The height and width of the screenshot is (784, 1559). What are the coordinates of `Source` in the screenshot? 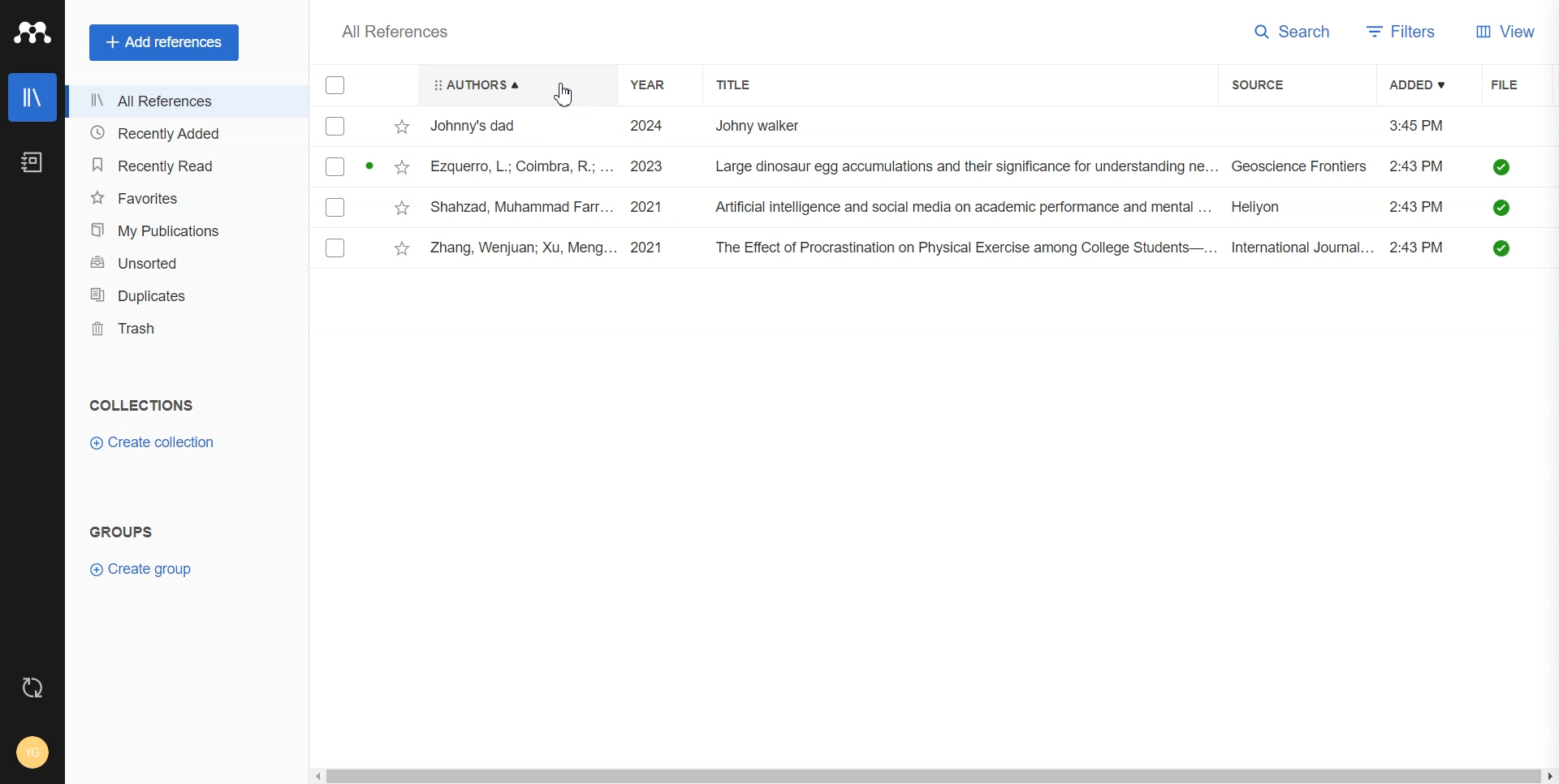 It's located at (1282, 84).